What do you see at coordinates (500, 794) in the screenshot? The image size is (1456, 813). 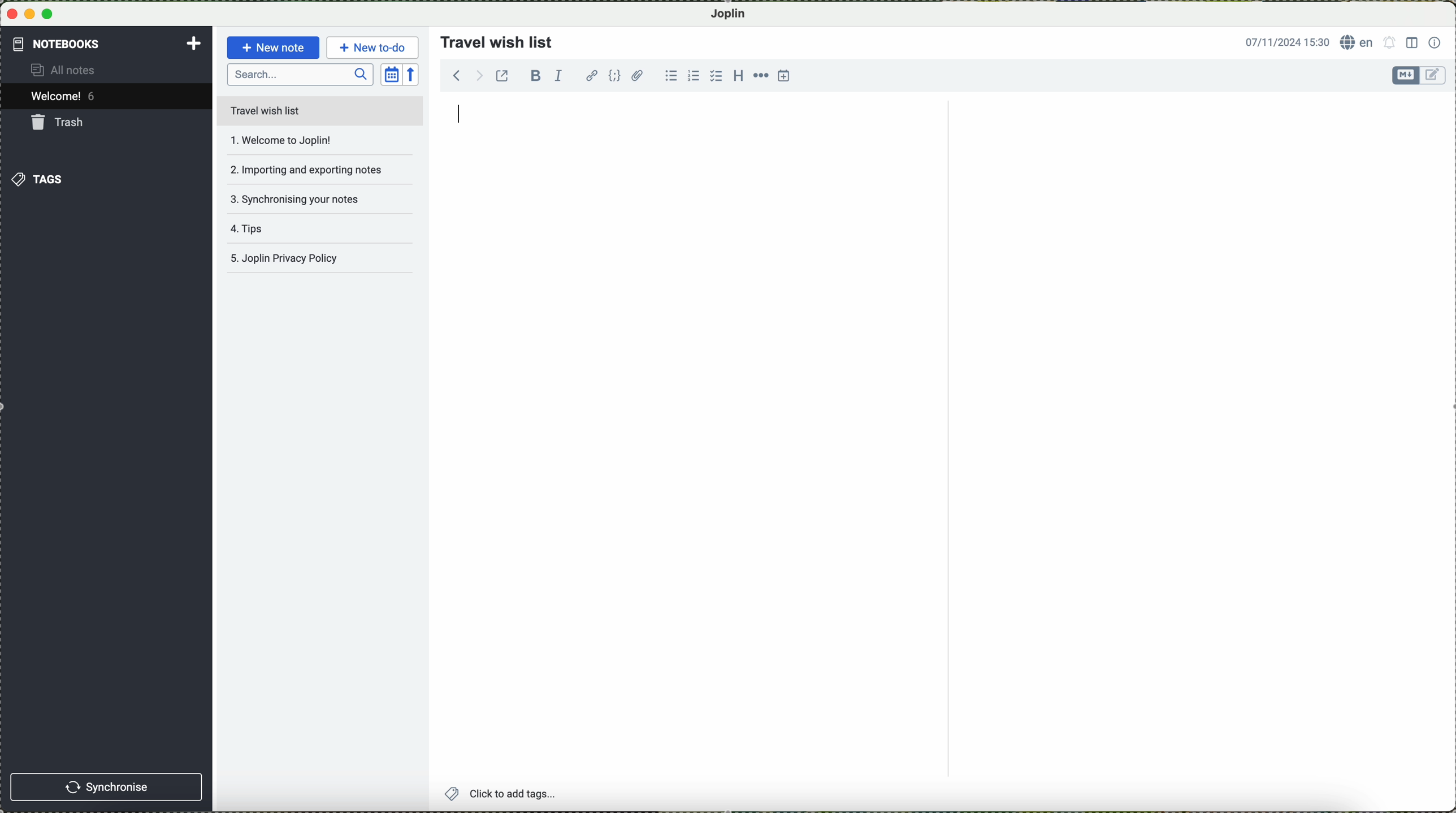 I see `add tags` at bounding box center [500, 794].